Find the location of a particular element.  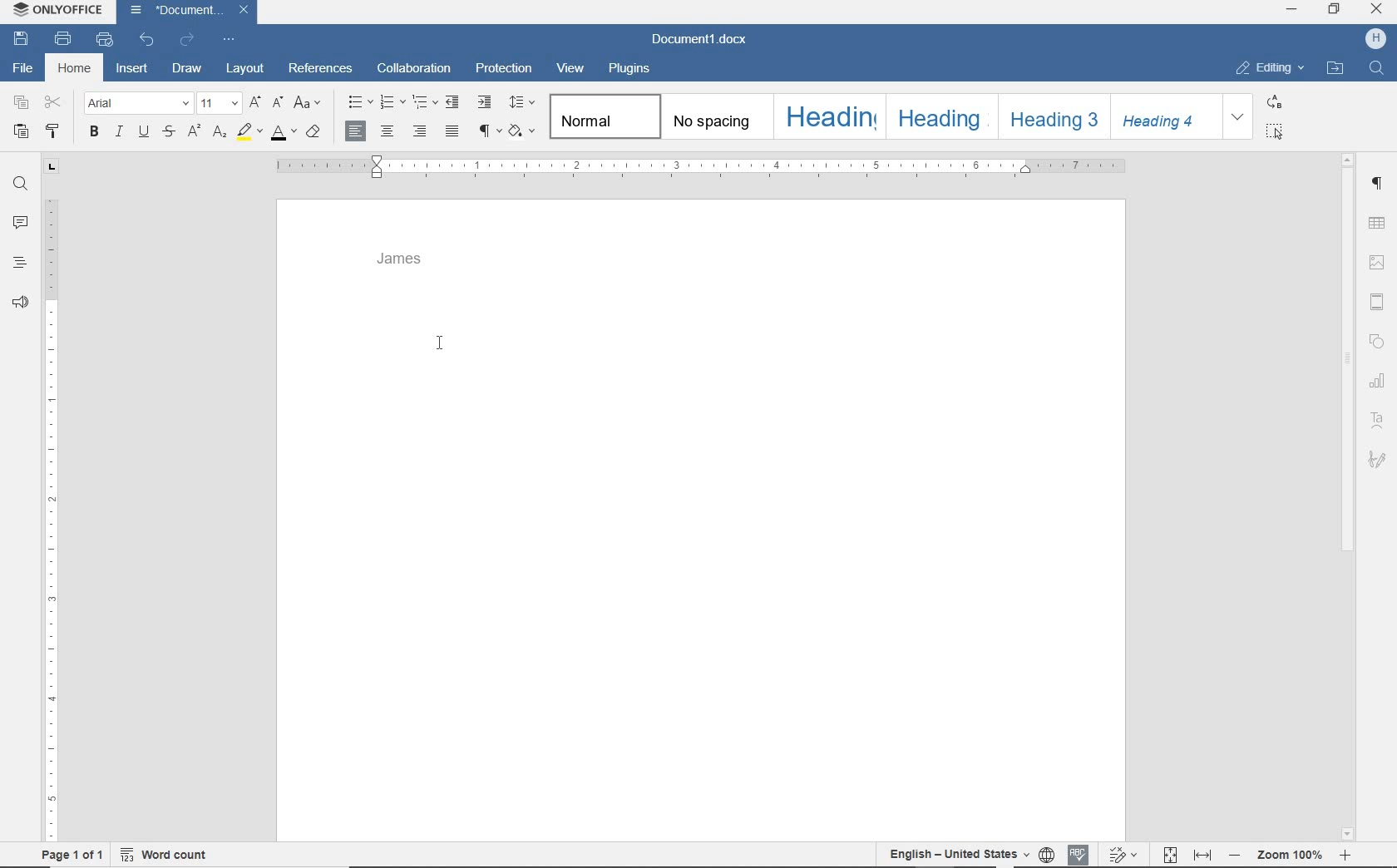

Heading3 is located at coordinates (1051, 116).